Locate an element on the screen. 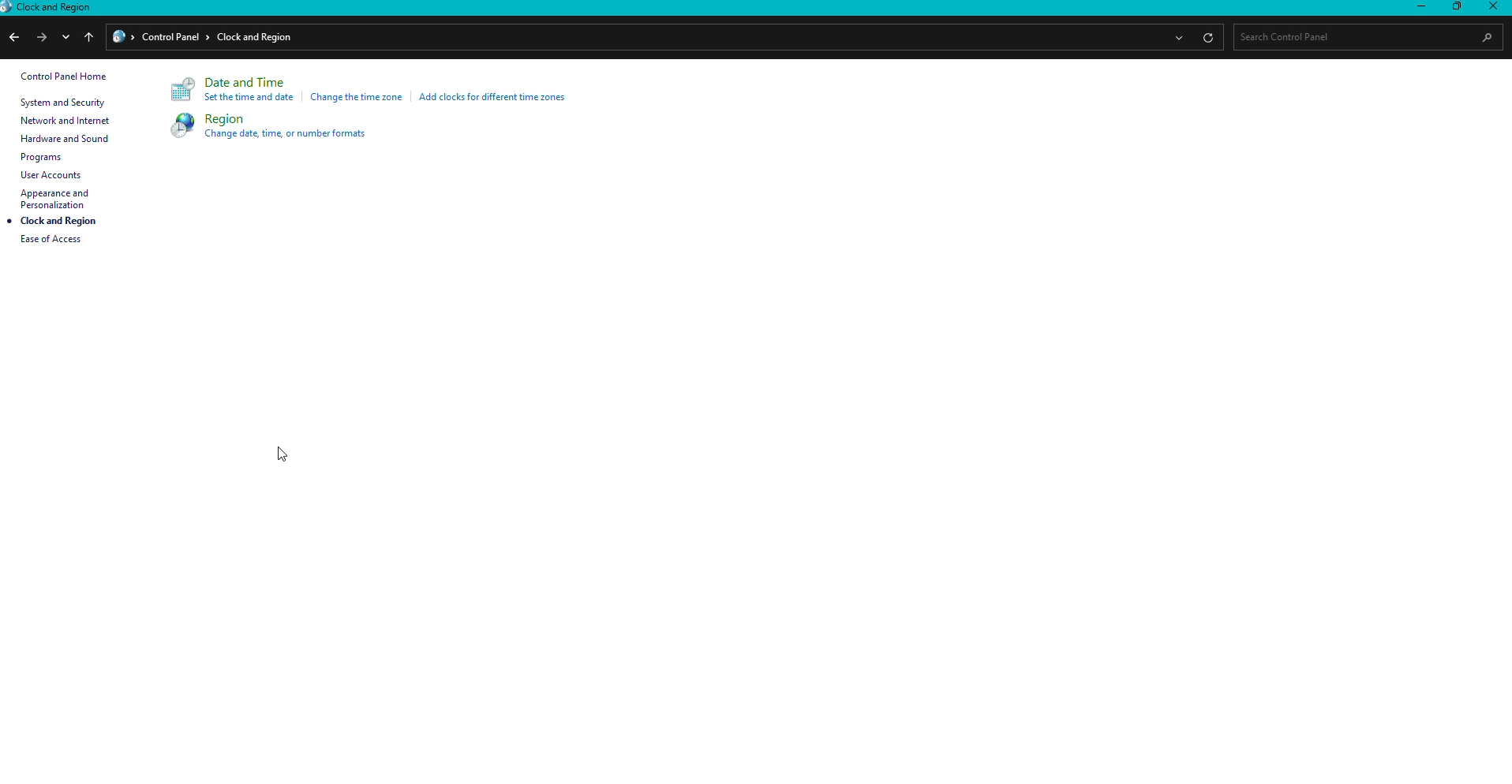  Search bar is located at coordinates (1362, 36).